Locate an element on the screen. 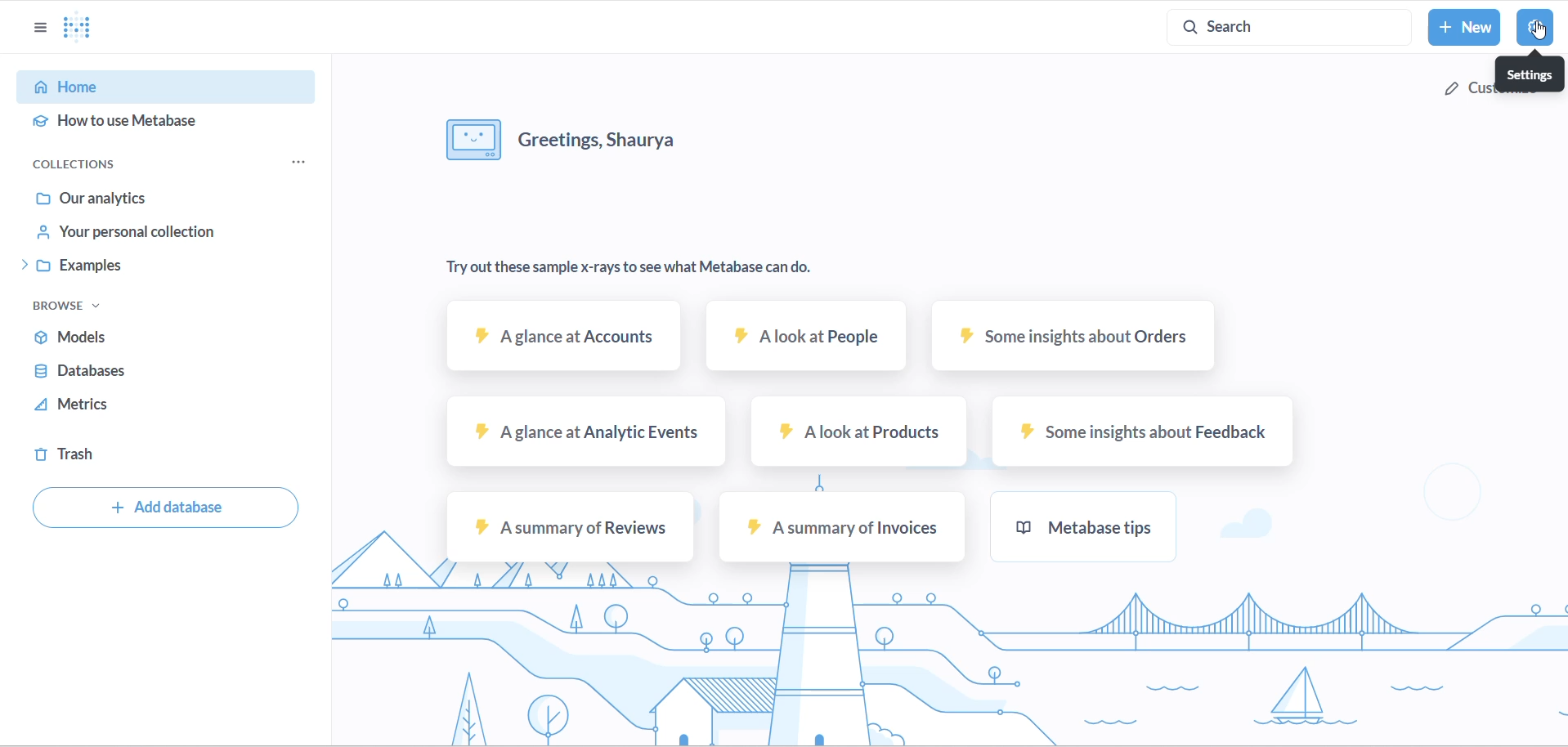  settings is located at coordinates (1534, 27).